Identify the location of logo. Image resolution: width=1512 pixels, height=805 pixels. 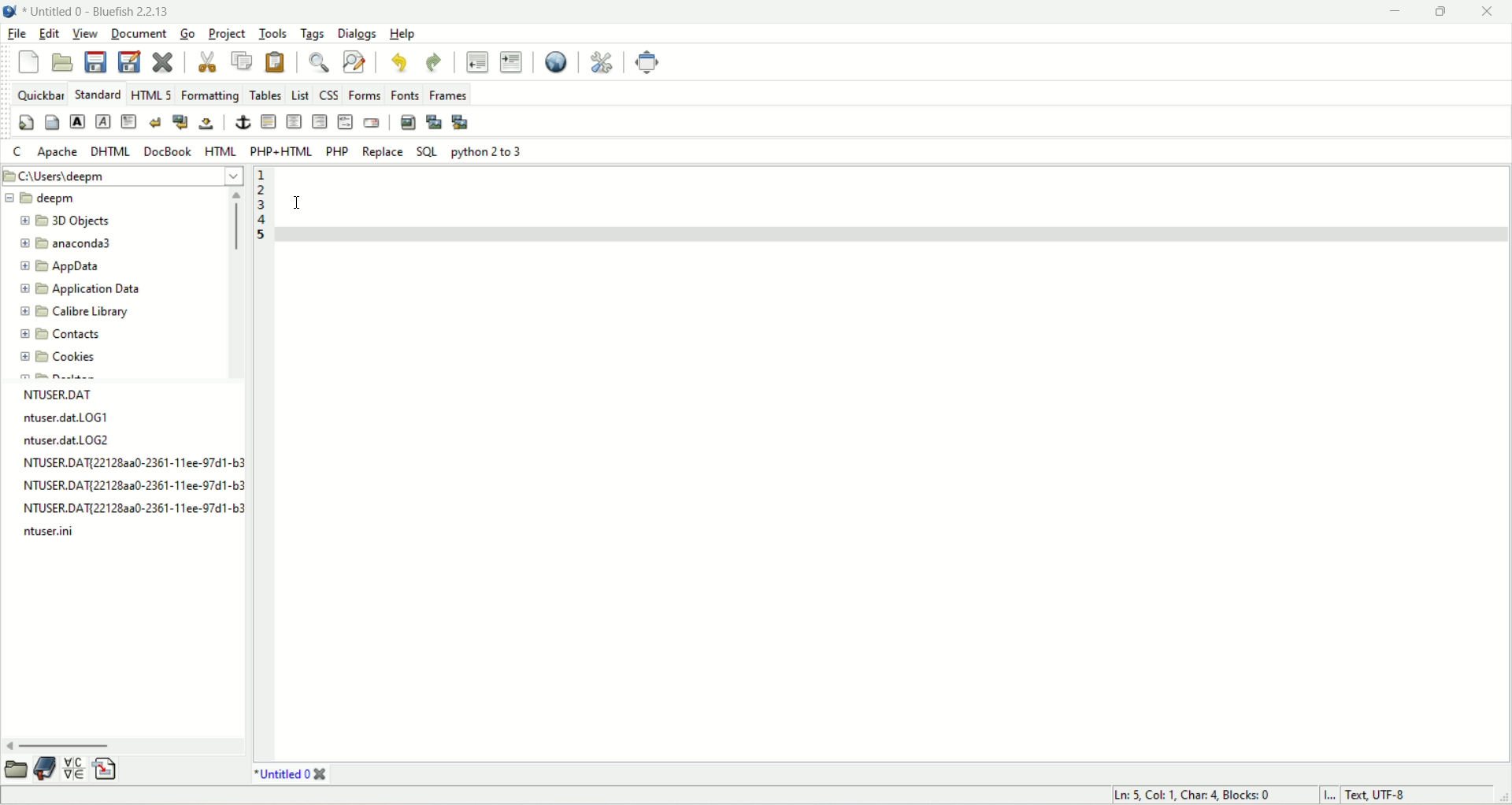
(9, 11).